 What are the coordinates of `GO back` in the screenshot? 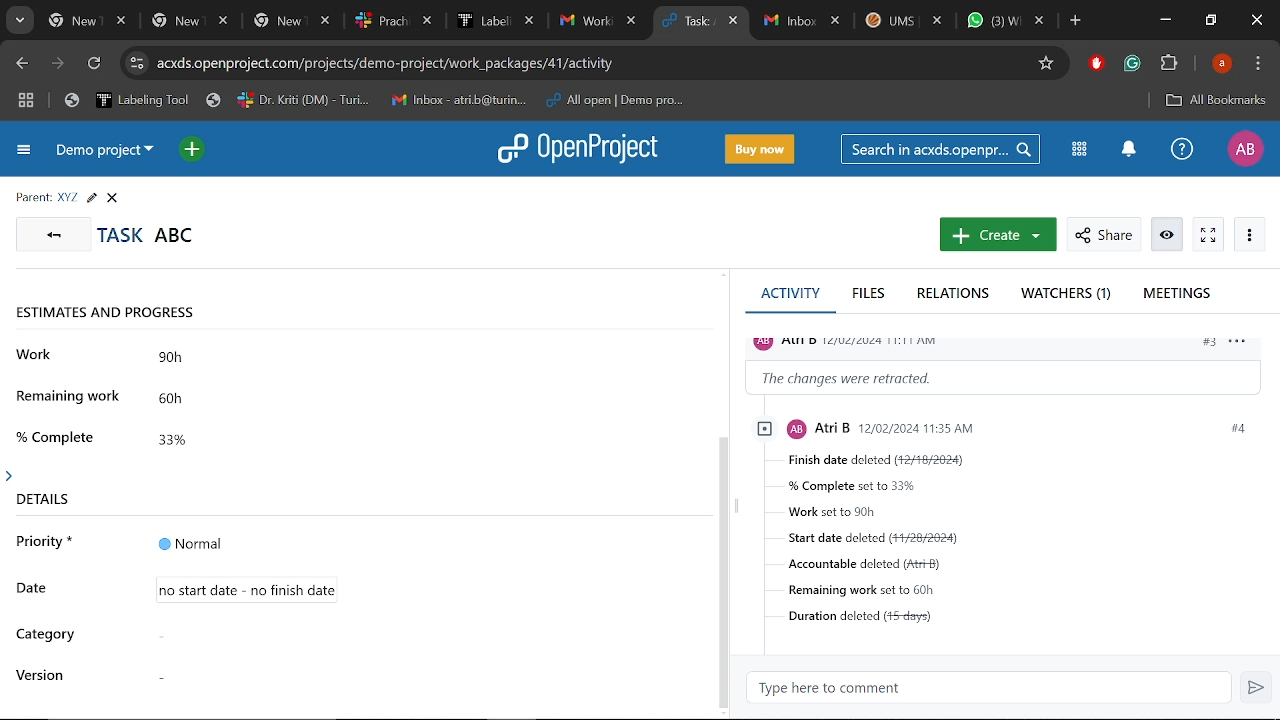 It's located at (50, 233).